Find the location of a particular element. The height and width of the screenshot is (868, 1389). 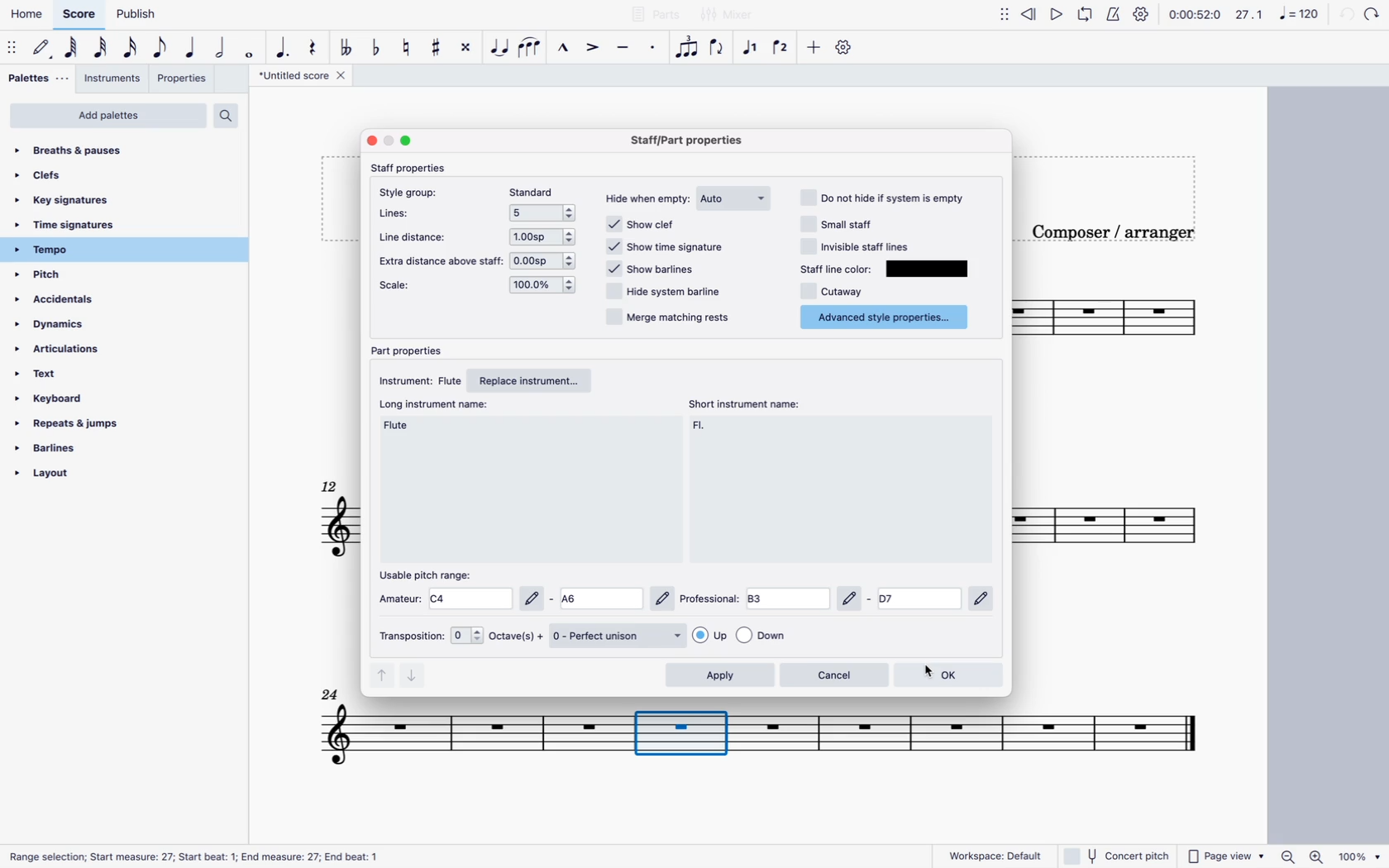

double note is located at coordinates (221, 47).